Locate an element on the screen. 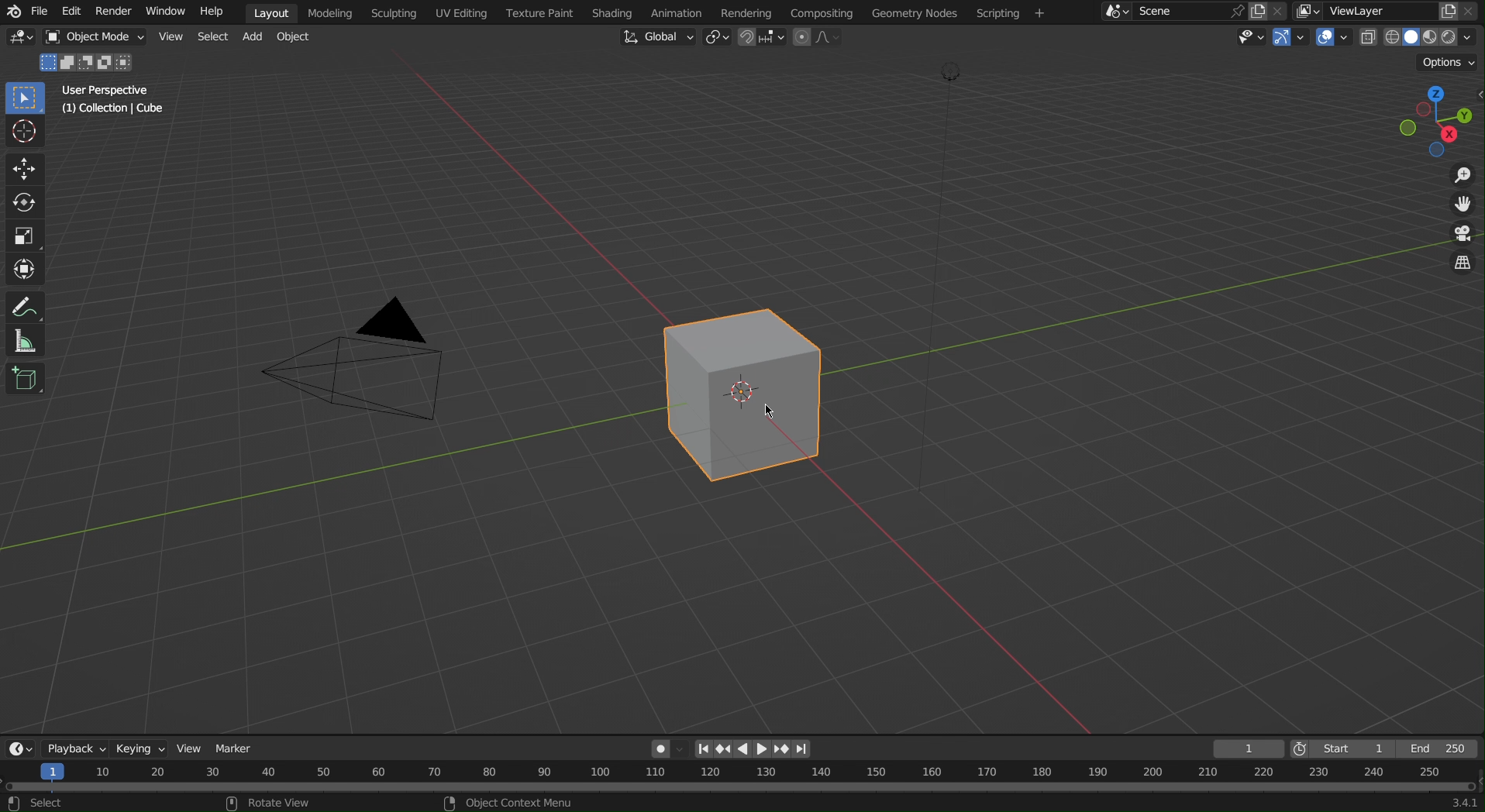 This screenshot has width=1485, height=812. copy layer is located at coordinates (1443, 10).